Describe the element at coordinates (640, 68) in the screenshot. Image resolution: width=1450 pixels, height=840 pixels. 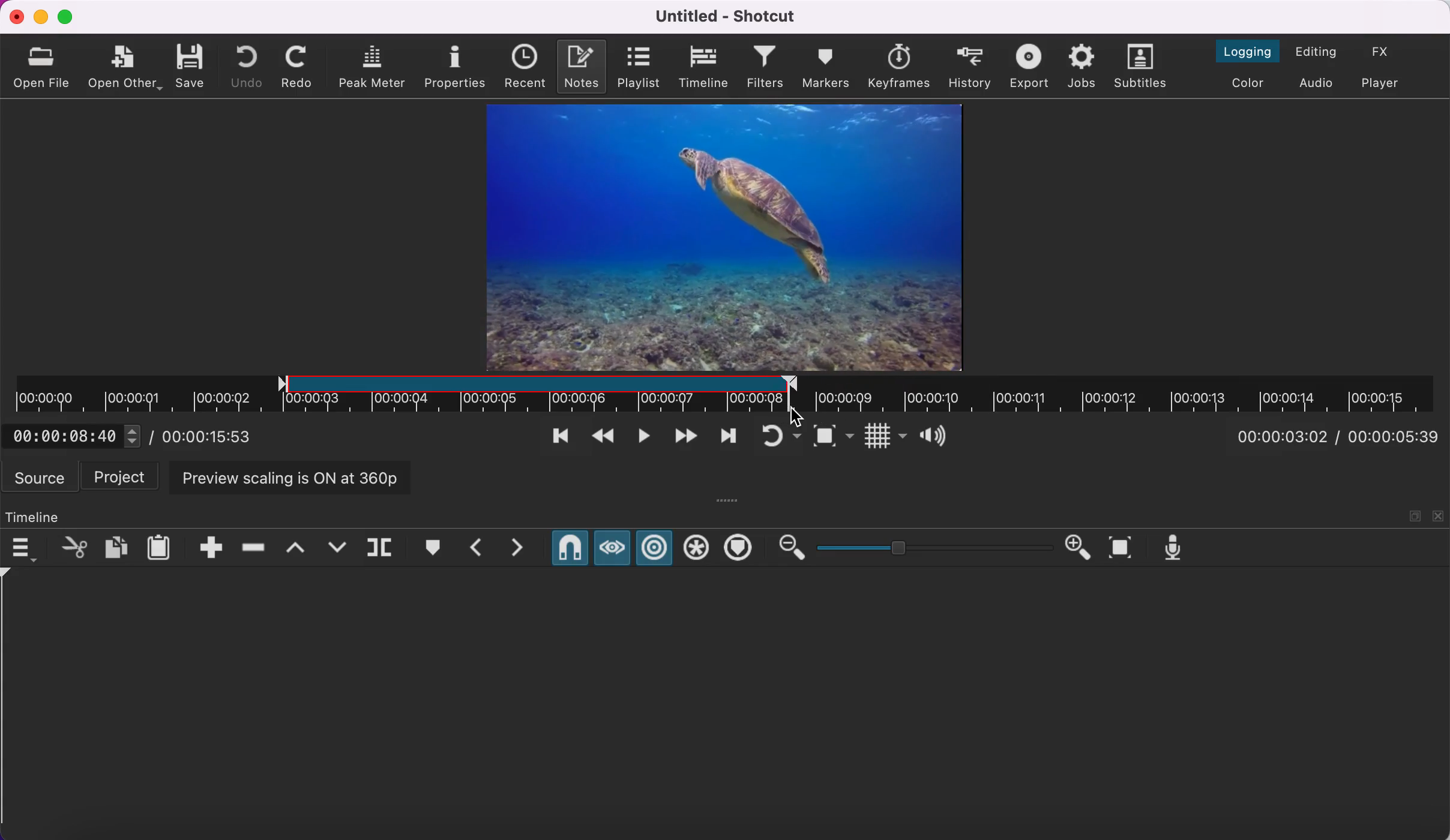
I see `playlist` at that location.